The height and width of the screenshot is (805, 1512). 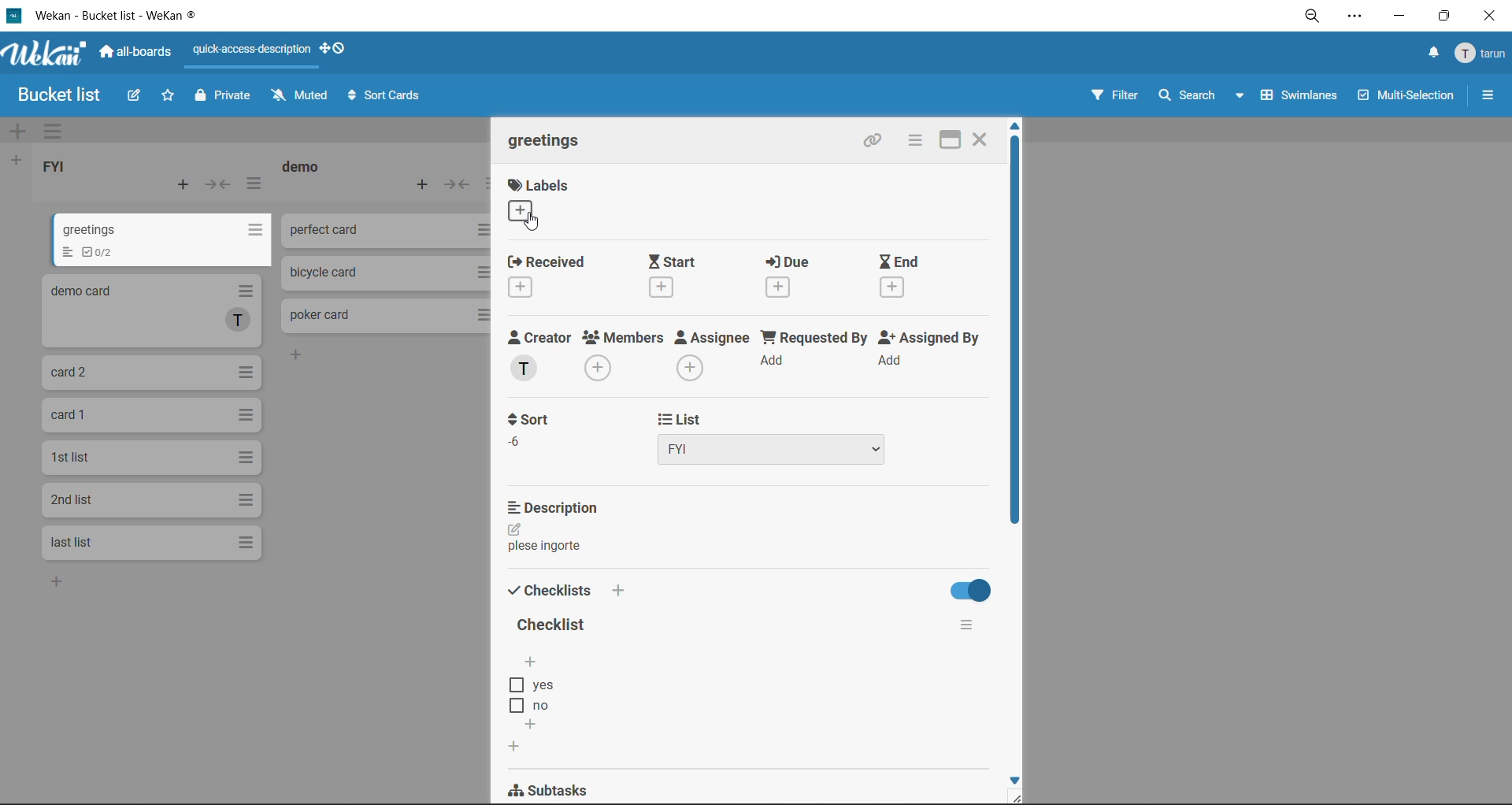 What do you see at coordinates (547, 139) in the screenshot?
I see `card title` at bounding box center [547, 139].